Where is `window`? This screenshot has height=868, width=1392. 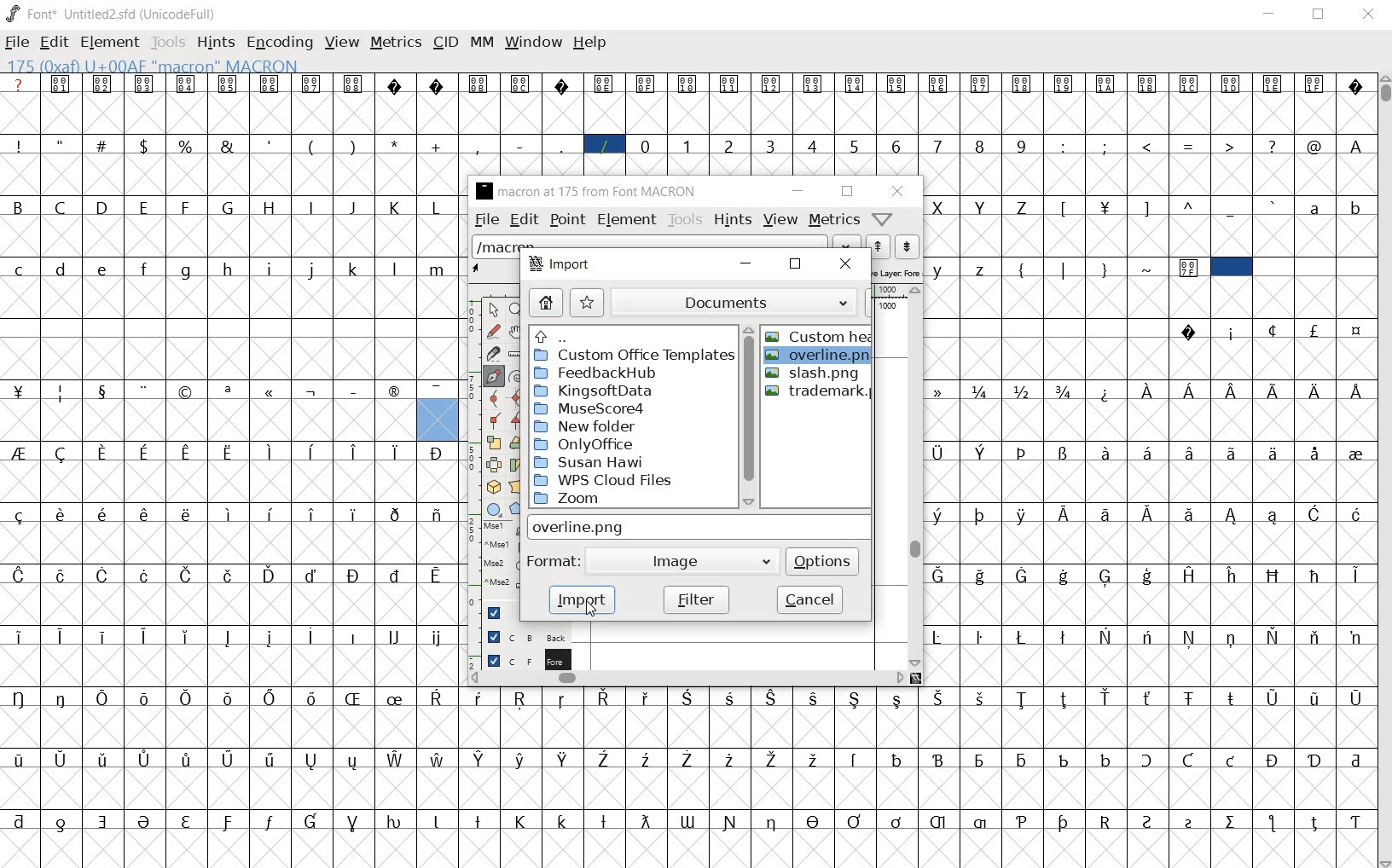
window is located at coordinates (533, 43).